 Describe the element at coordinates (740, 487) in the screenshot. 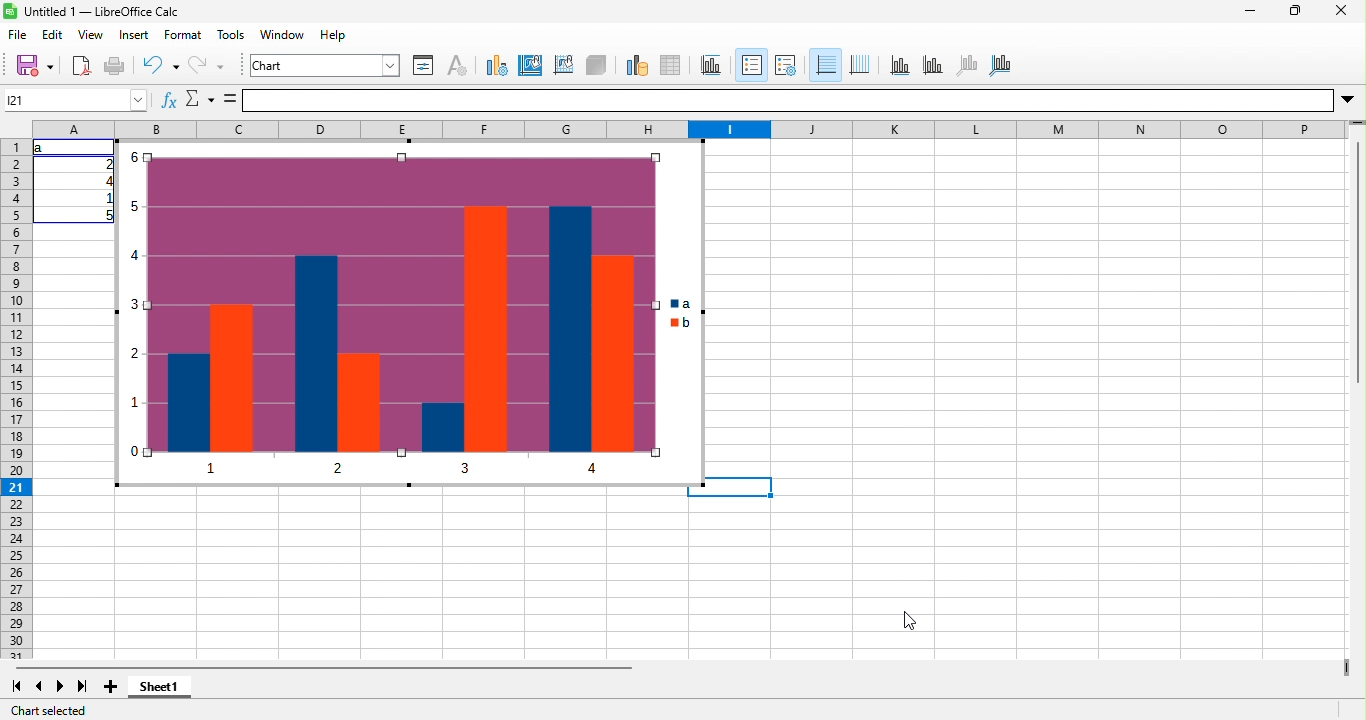

I see `Selected cell highlighted` at that location.